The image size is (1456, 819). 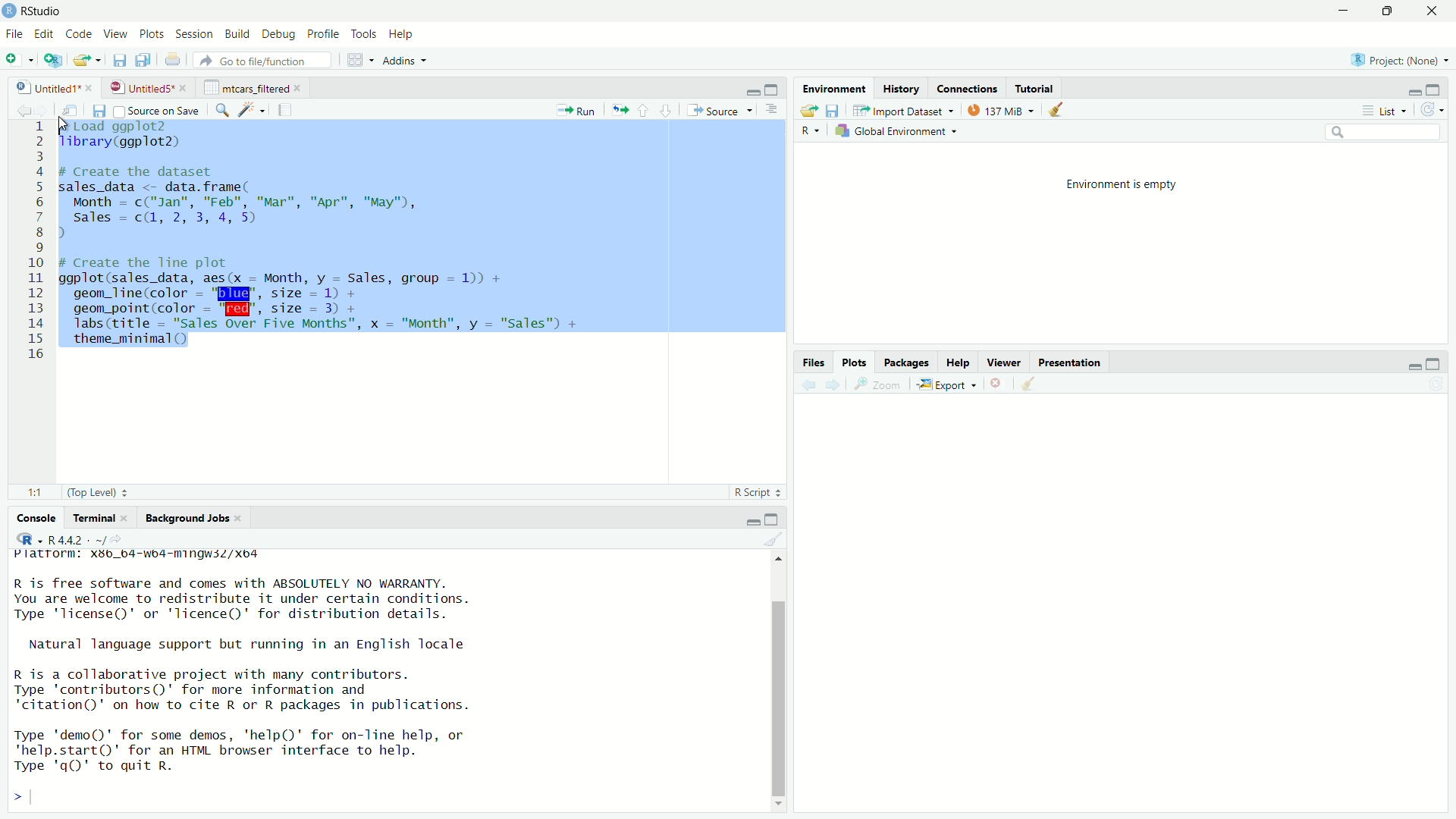 What do you see at coordinates (325, 34) in the screenshot?
I see `profile` at bounding box center [325, 34].